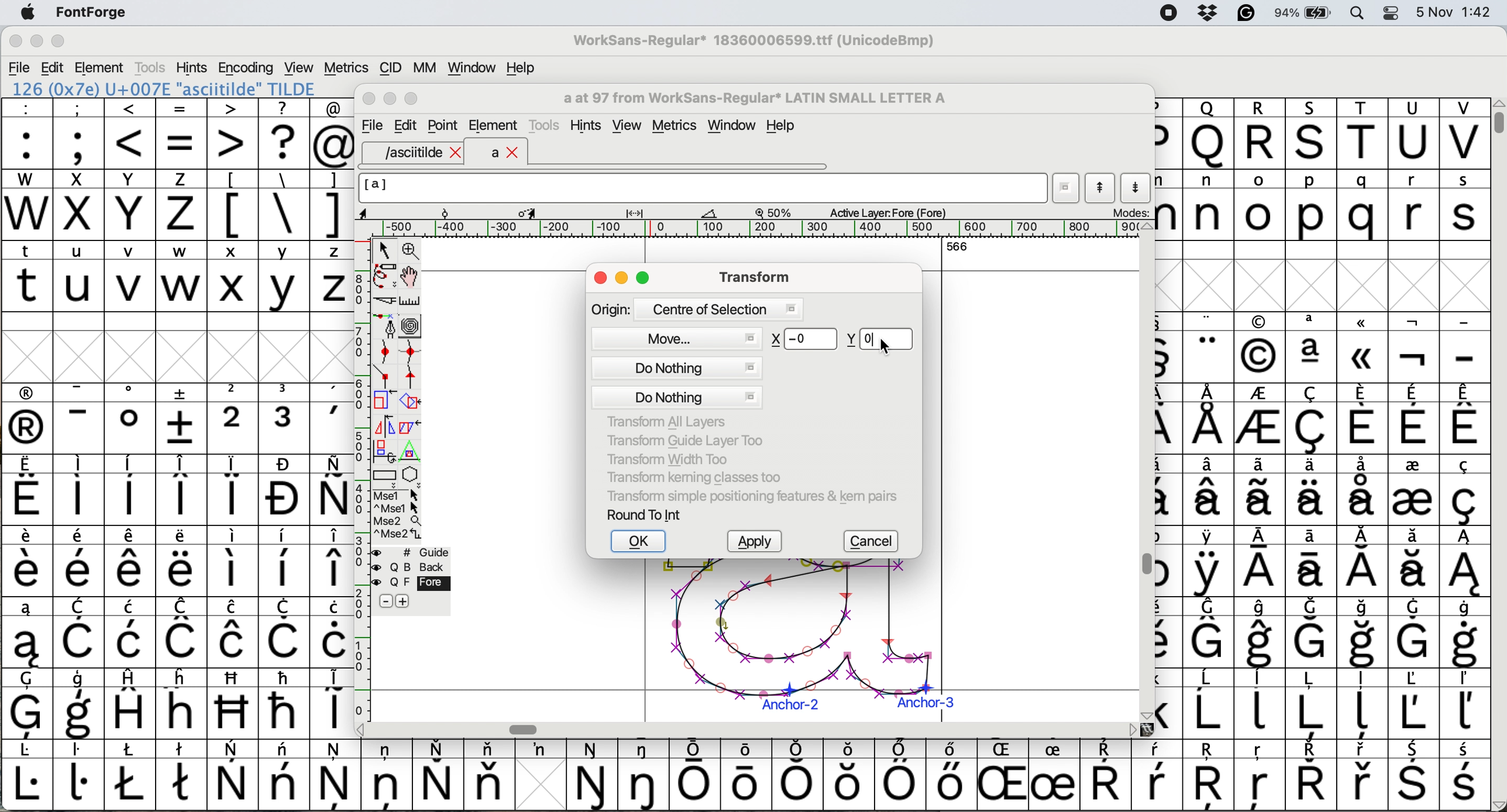  What do you see at coordinates (82, 634) in the screenshot?
I see `symbol` at bounding box center [82, 634].